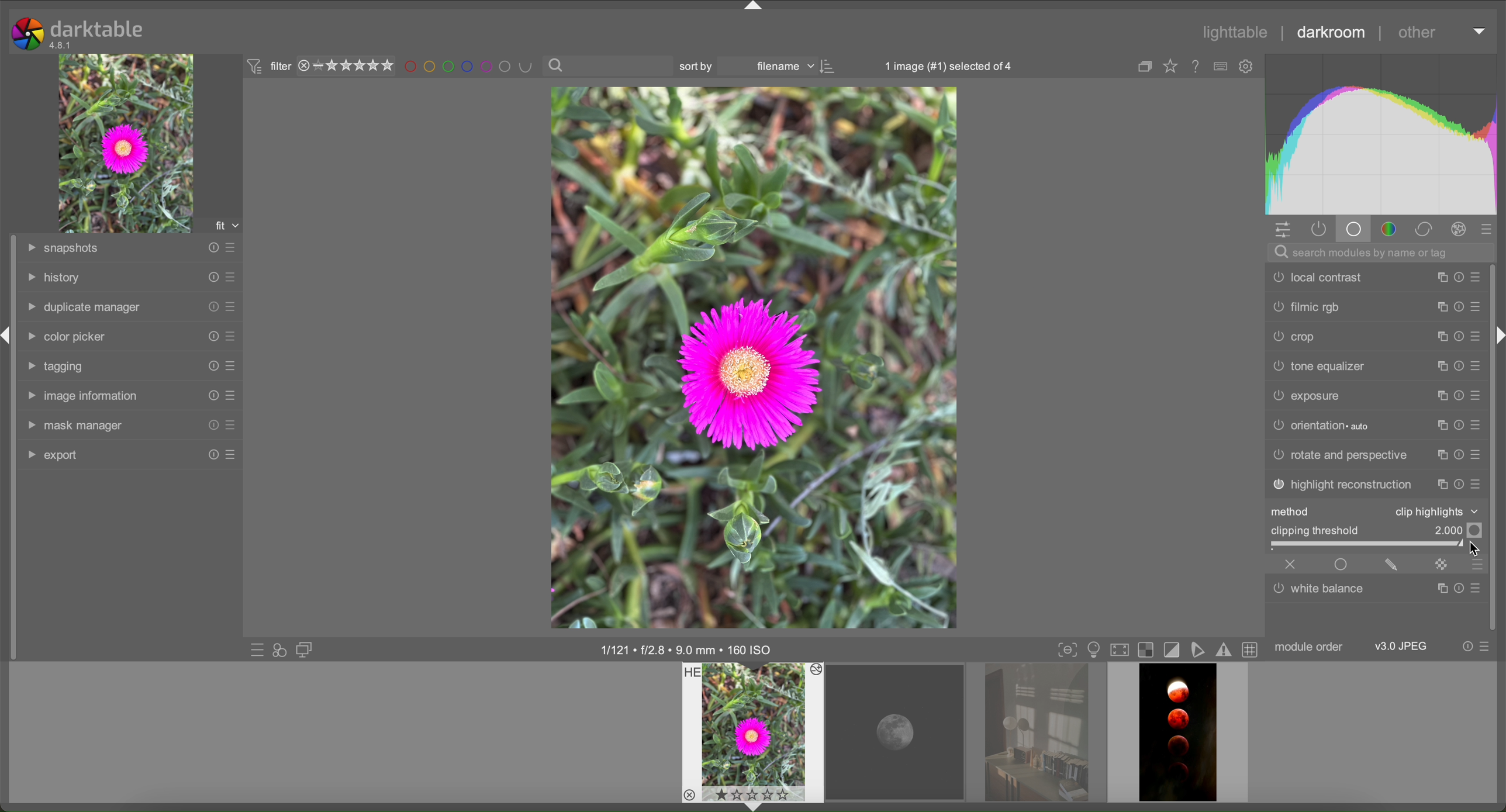 This screenshot has height=812, width=1506. What do you see at coordinates (1456, 367) in the screenshot?
I see `reset presets` at bounding box center [1456, 367].